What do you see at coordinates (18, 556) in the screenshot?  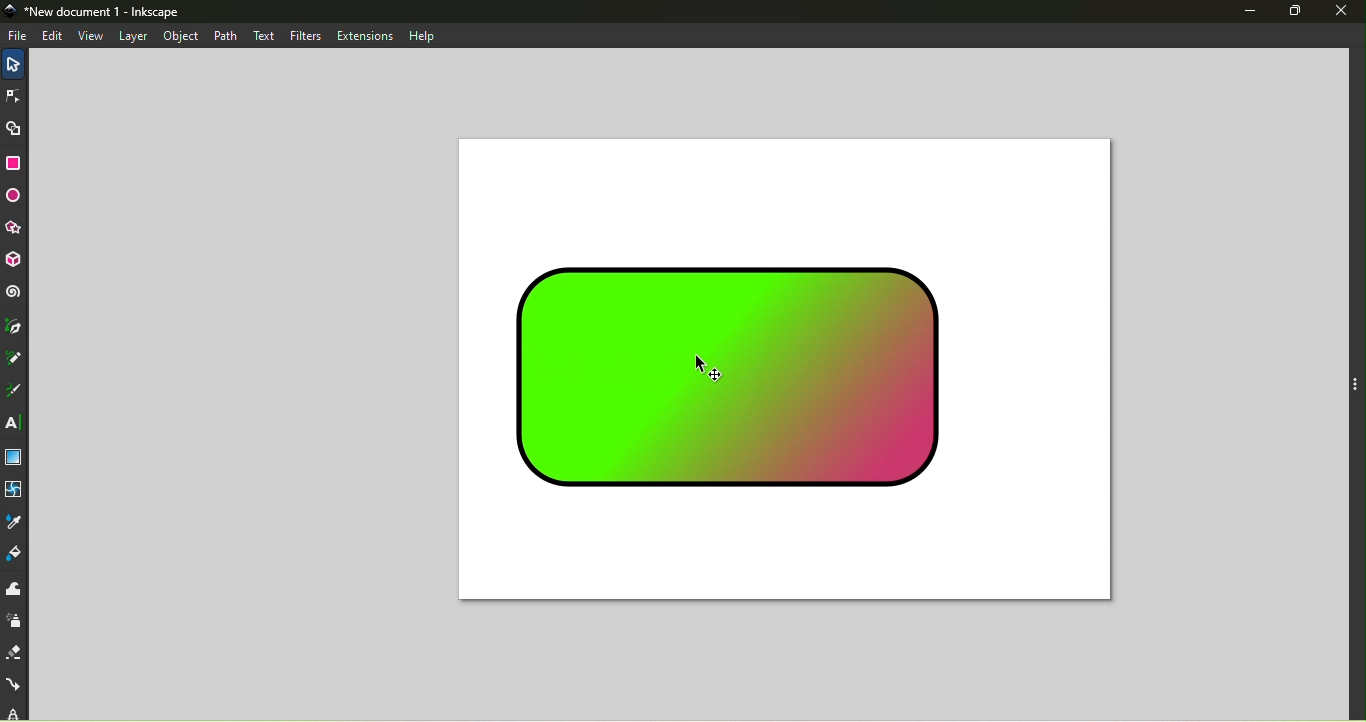 I see `Paint bucket tool` at bounding box center [18, 556].